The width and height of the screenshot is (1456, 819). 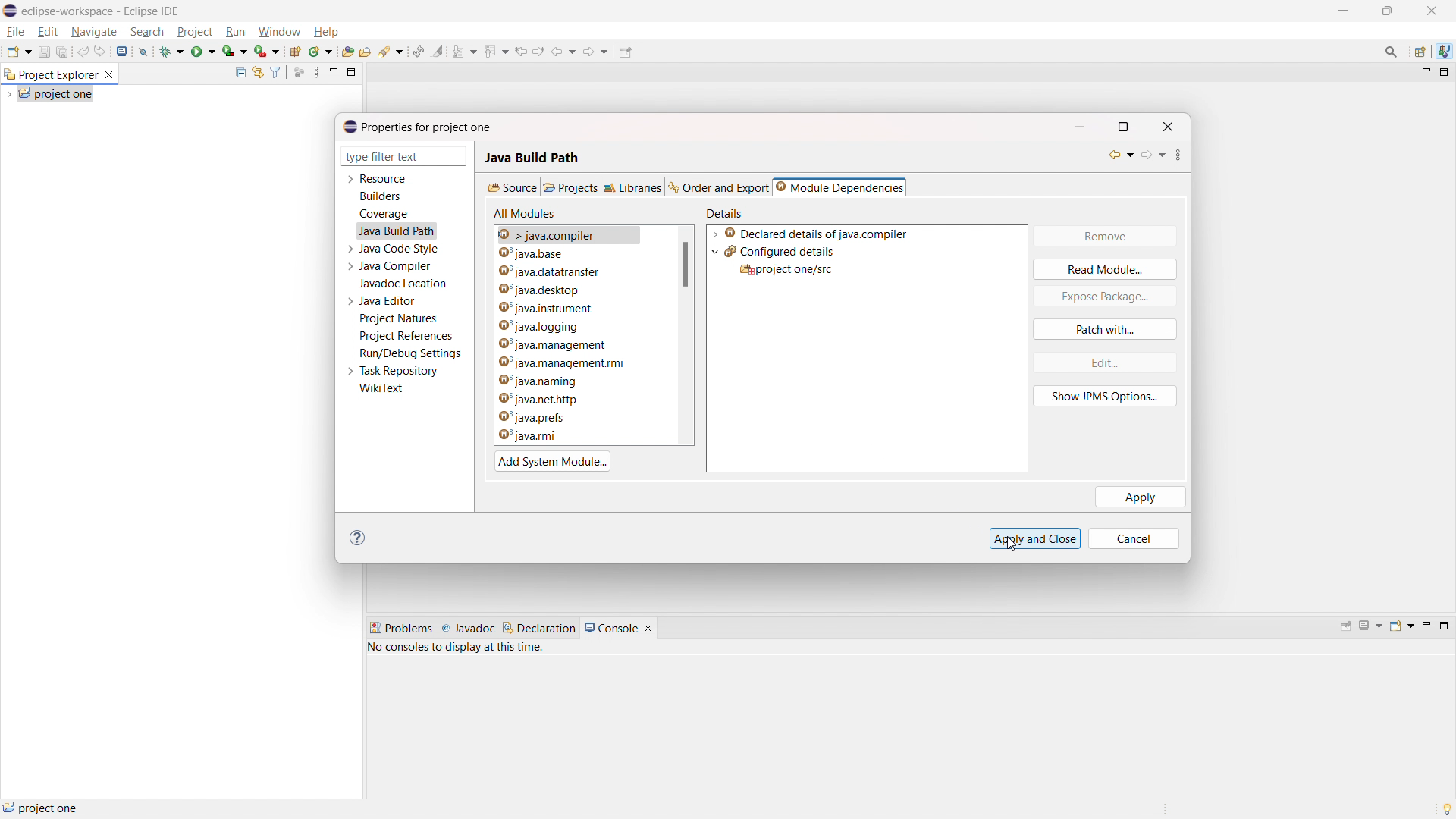 I want to click on order and export, so click(x=720, y=187).